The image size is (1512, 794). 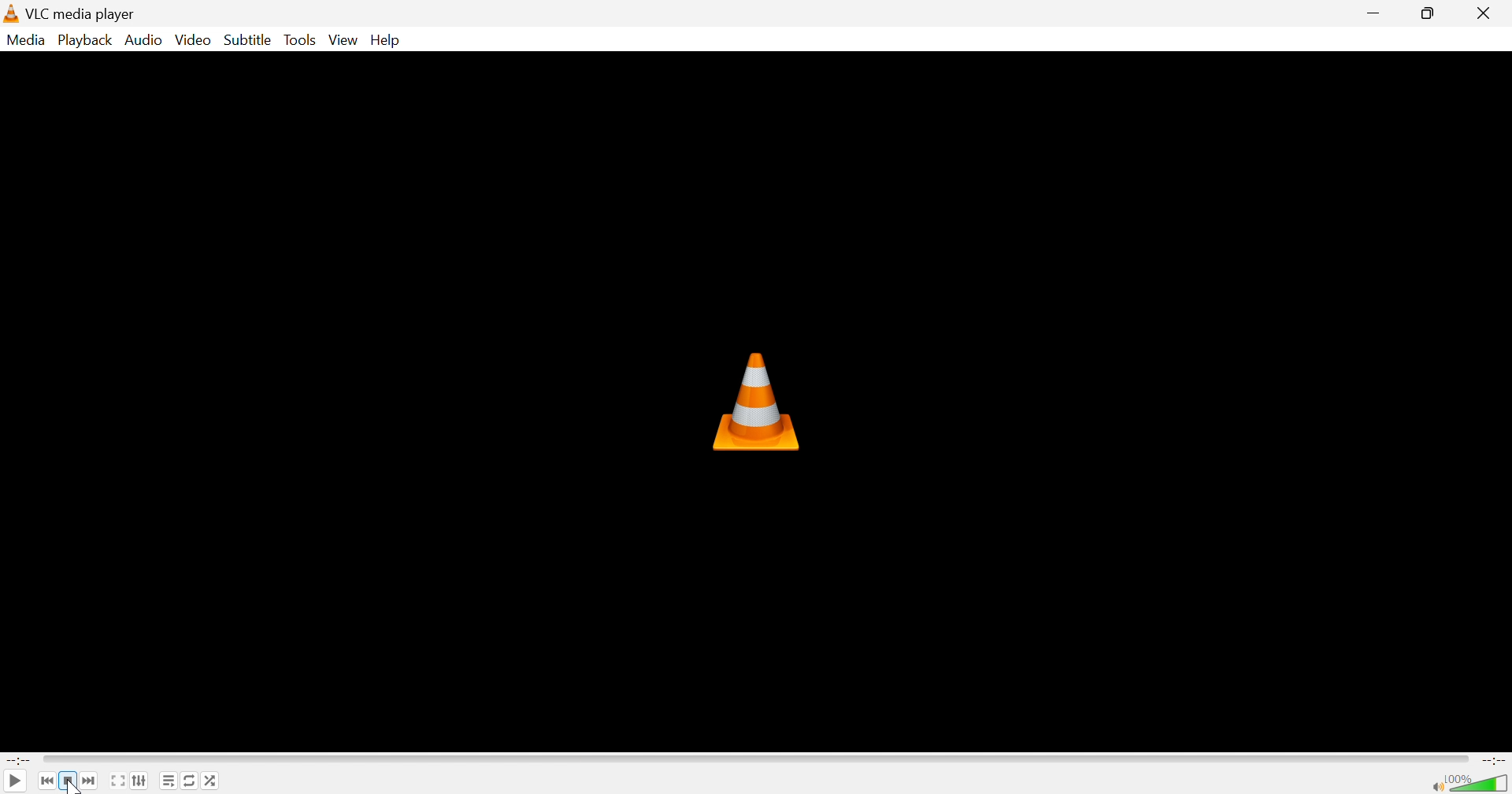 I want to click on Toggle playlist, so click(x=169, y=781).